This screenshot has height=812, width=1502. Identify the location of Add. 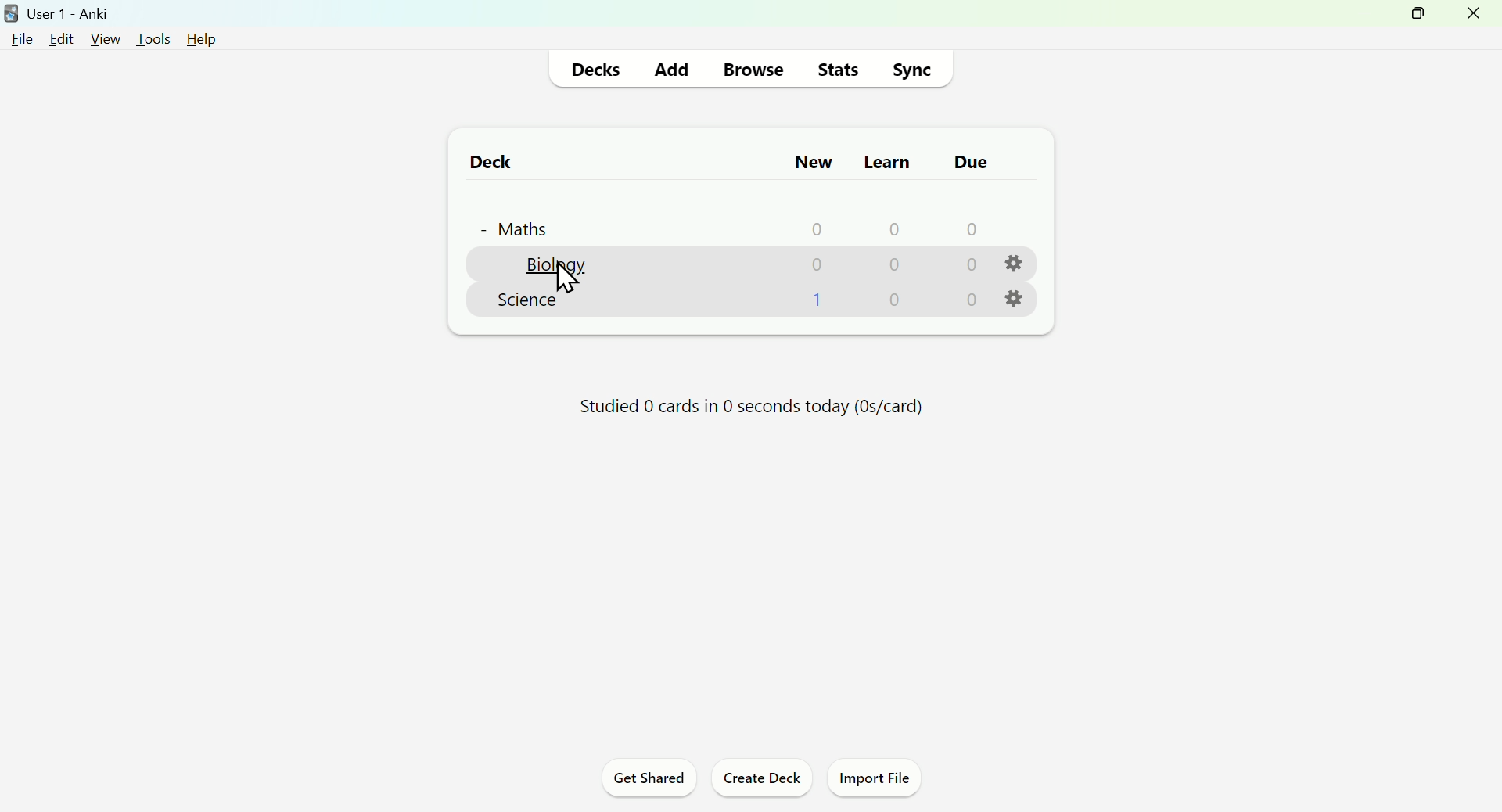
(671, 69).